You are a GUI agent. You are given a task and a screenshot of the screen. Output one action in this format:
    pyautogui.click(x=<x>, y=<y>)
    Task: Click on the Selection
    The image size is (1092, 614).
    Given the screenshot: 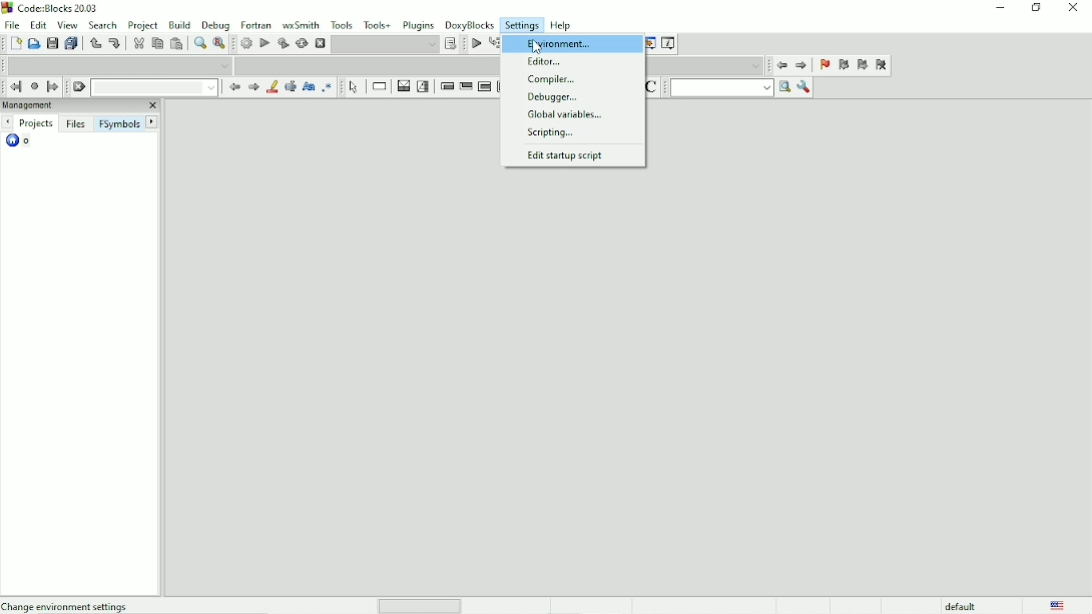 What is the action you would take?
    pyautogui.click(x=423, y=87)
    